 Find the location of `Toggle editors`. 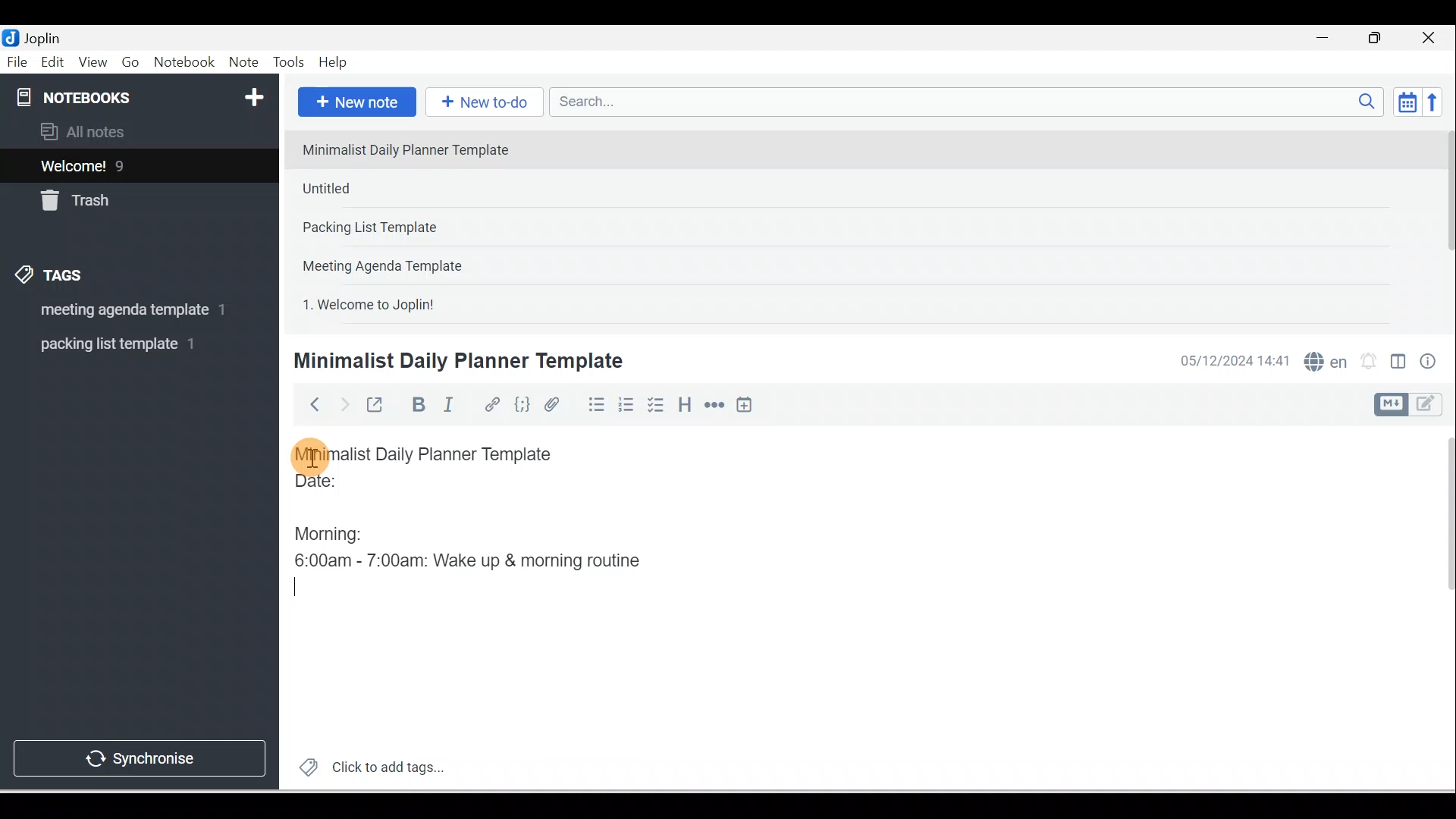

Toggle editors is located at coordinates (1398, 364).